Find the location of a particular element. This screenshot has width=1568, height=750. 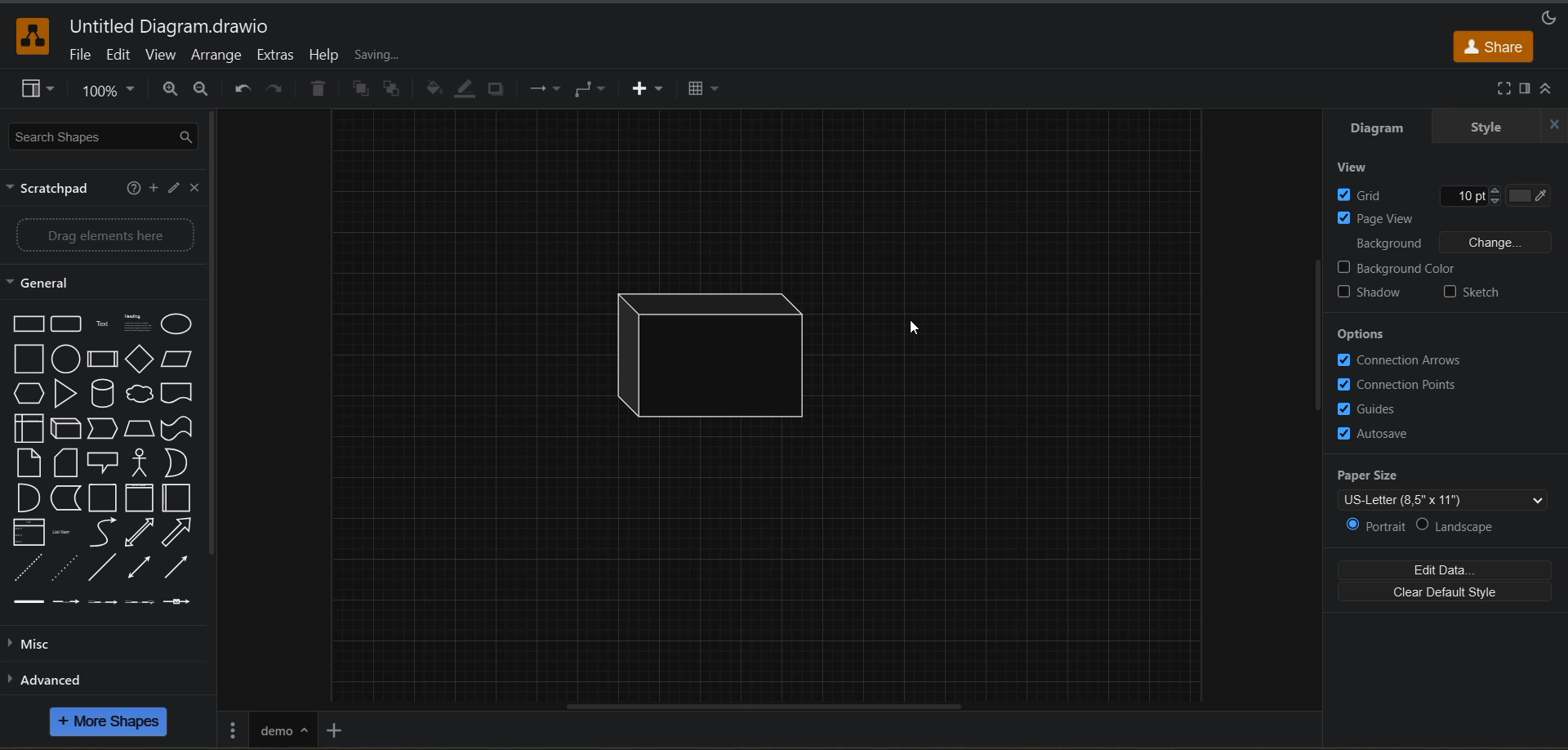

zoom in is located at coordinates (171, 91).